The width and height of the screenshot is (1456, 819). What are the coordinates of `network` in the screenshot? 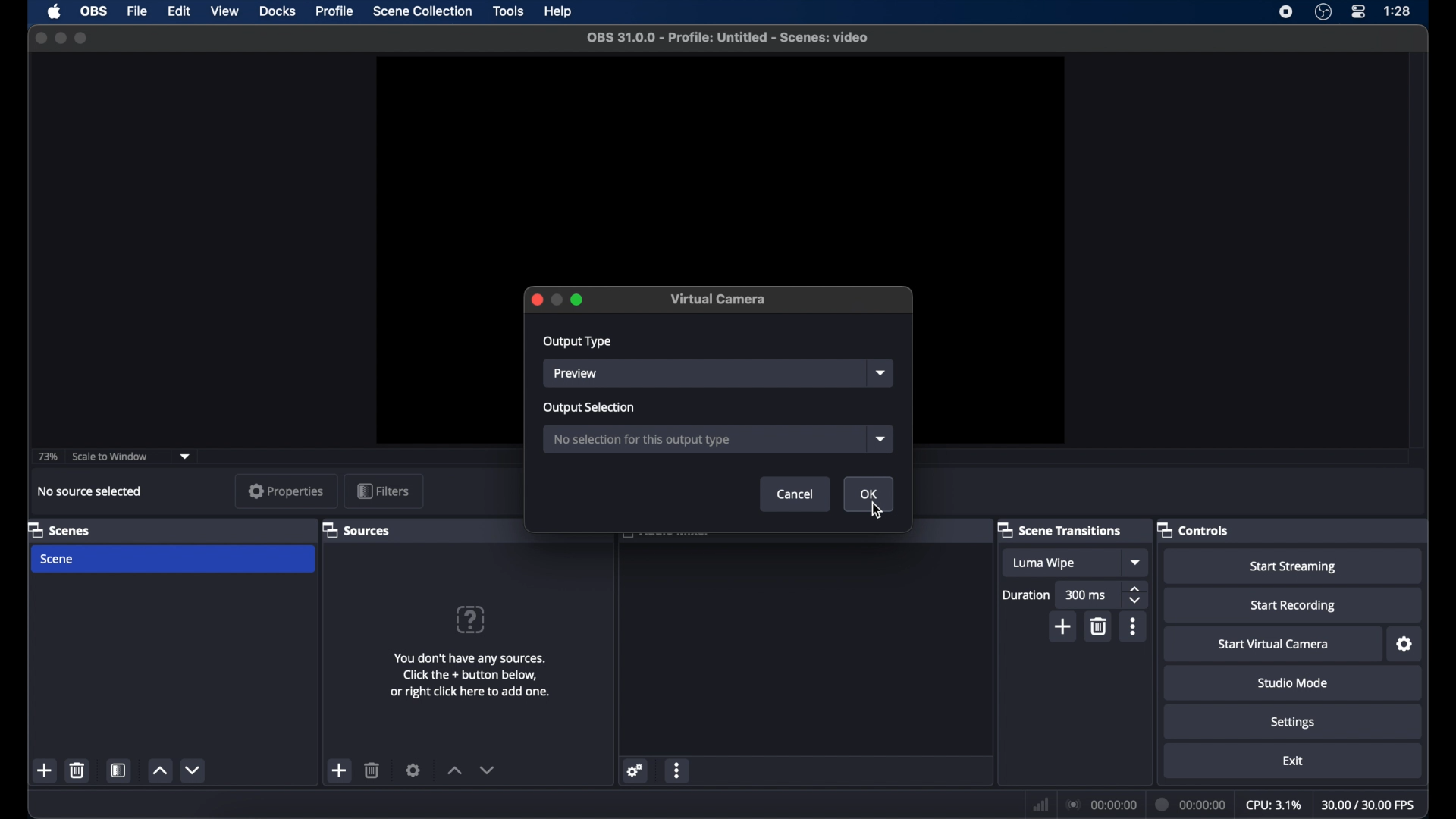 It's located at (1041, 804).